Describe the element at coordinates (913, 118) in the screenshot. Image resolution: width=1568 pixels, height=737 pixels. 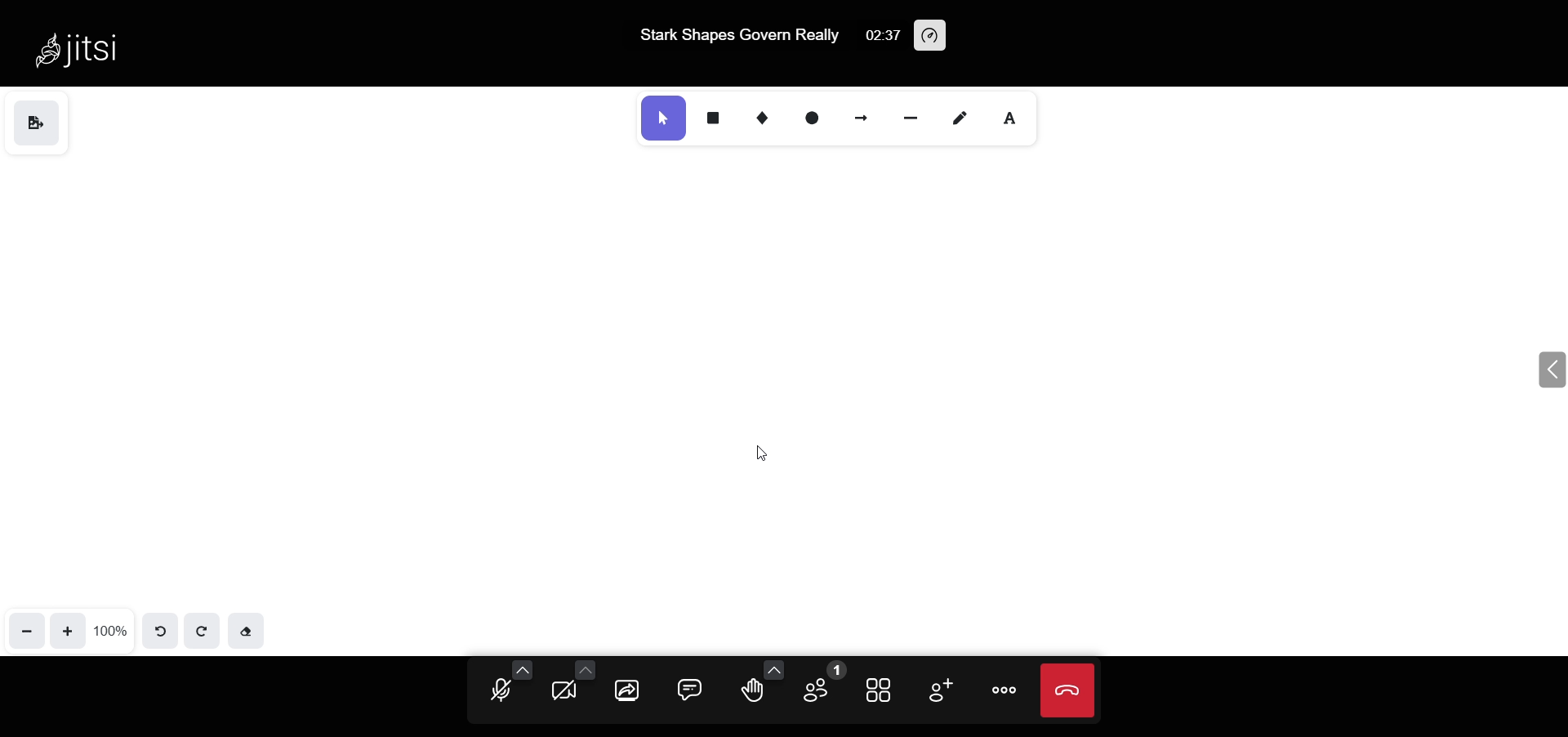
I see `line` at that location.